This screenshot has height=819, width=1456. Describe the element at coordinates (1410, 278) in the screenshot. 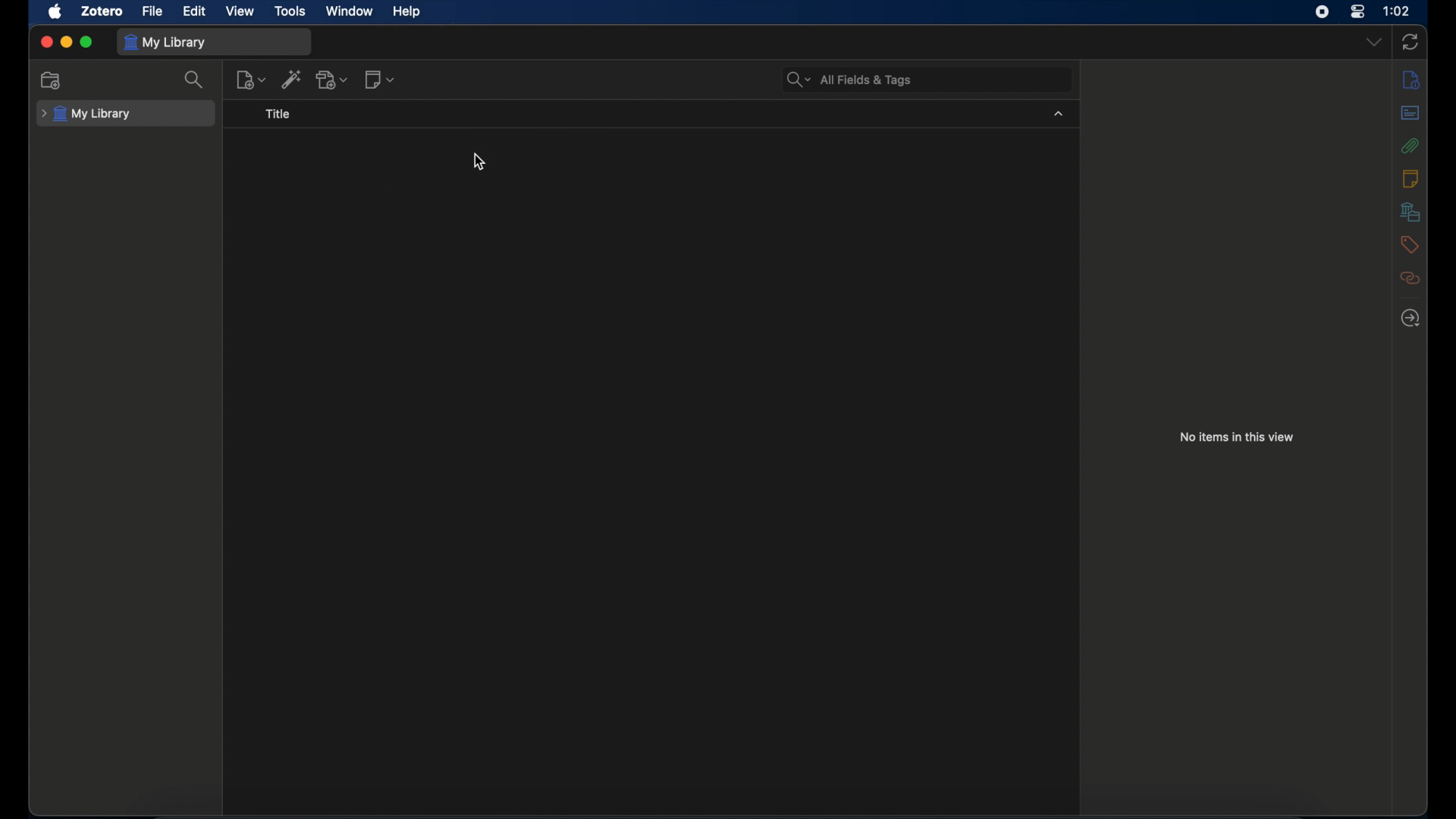

I see `related` at that location.